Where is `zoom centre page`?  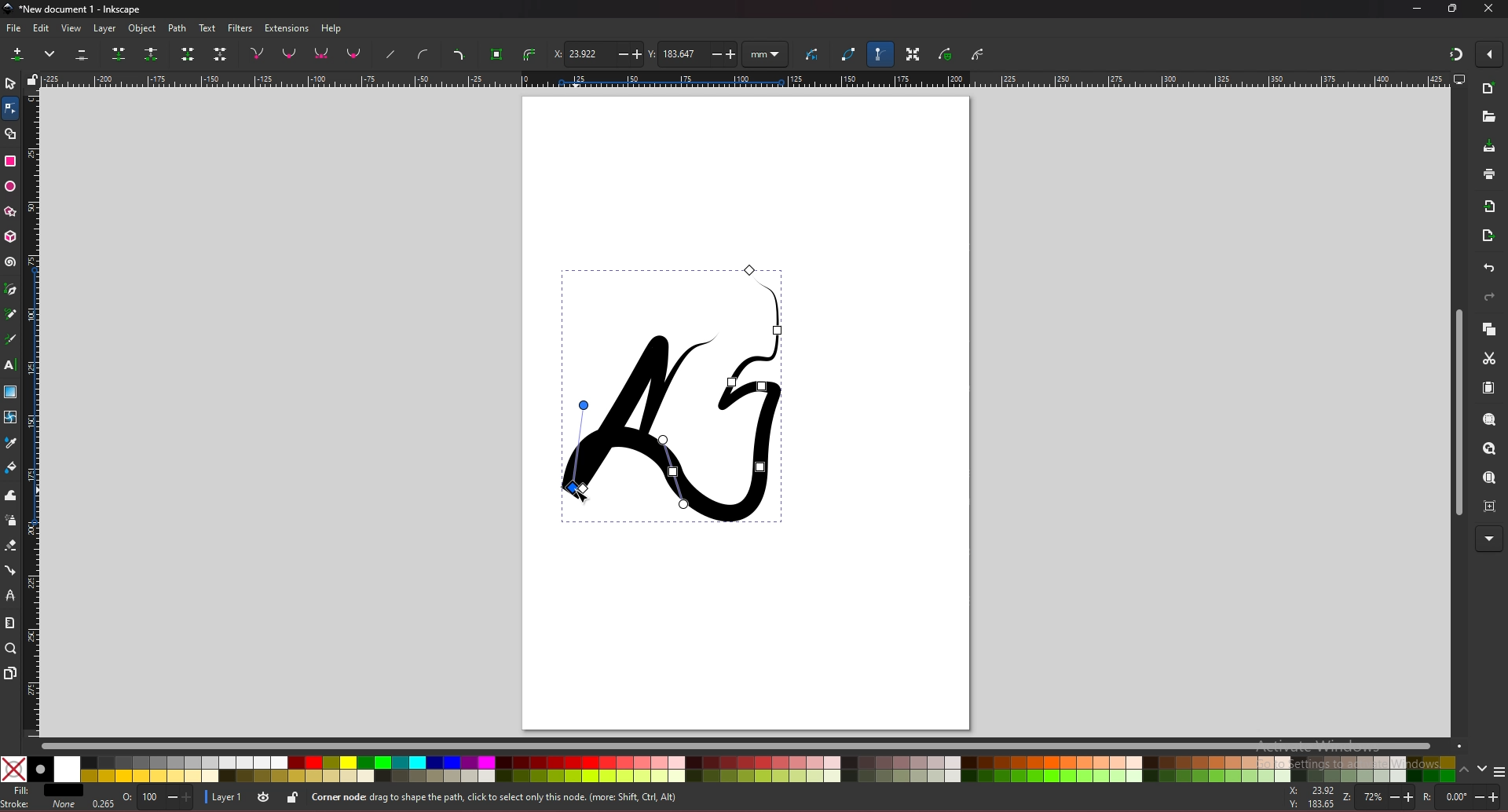 zoom centre page is located at coordinates (1490, 506).